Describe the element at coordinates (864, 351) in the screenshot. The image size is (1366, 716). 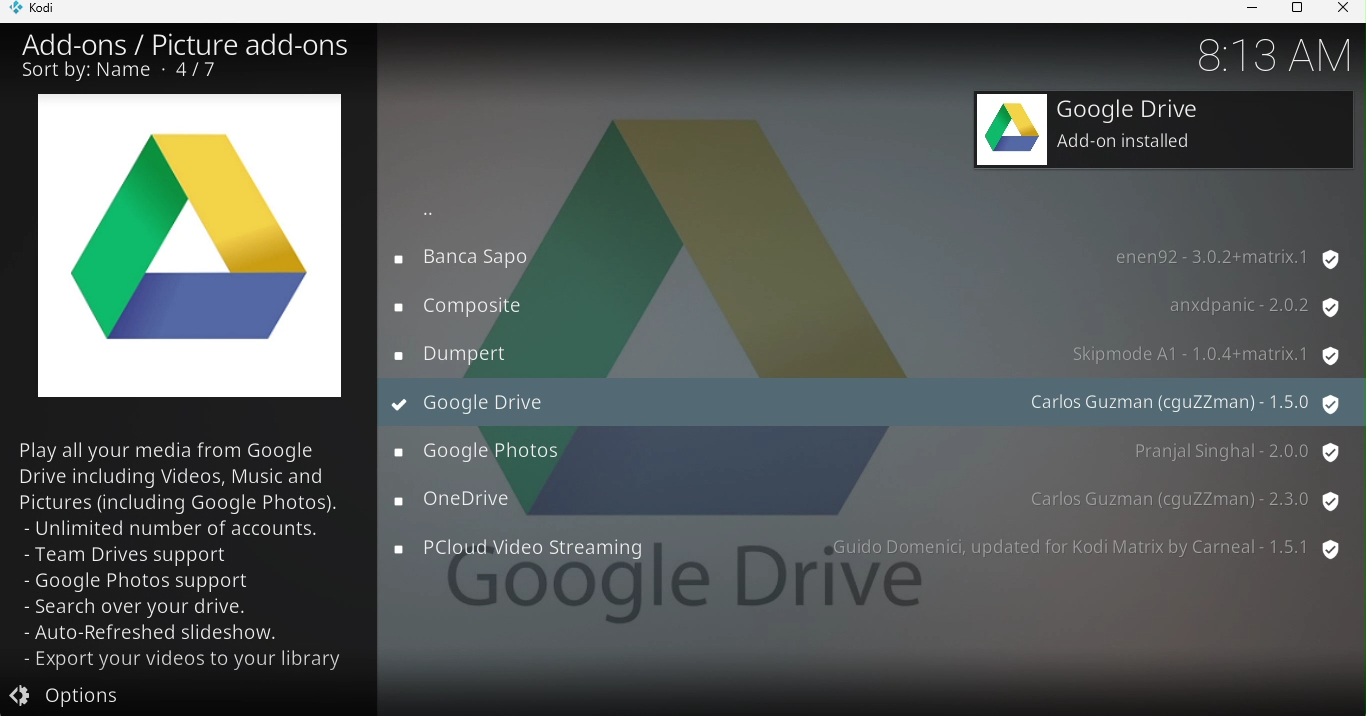
I see `Dumpert` at that location.